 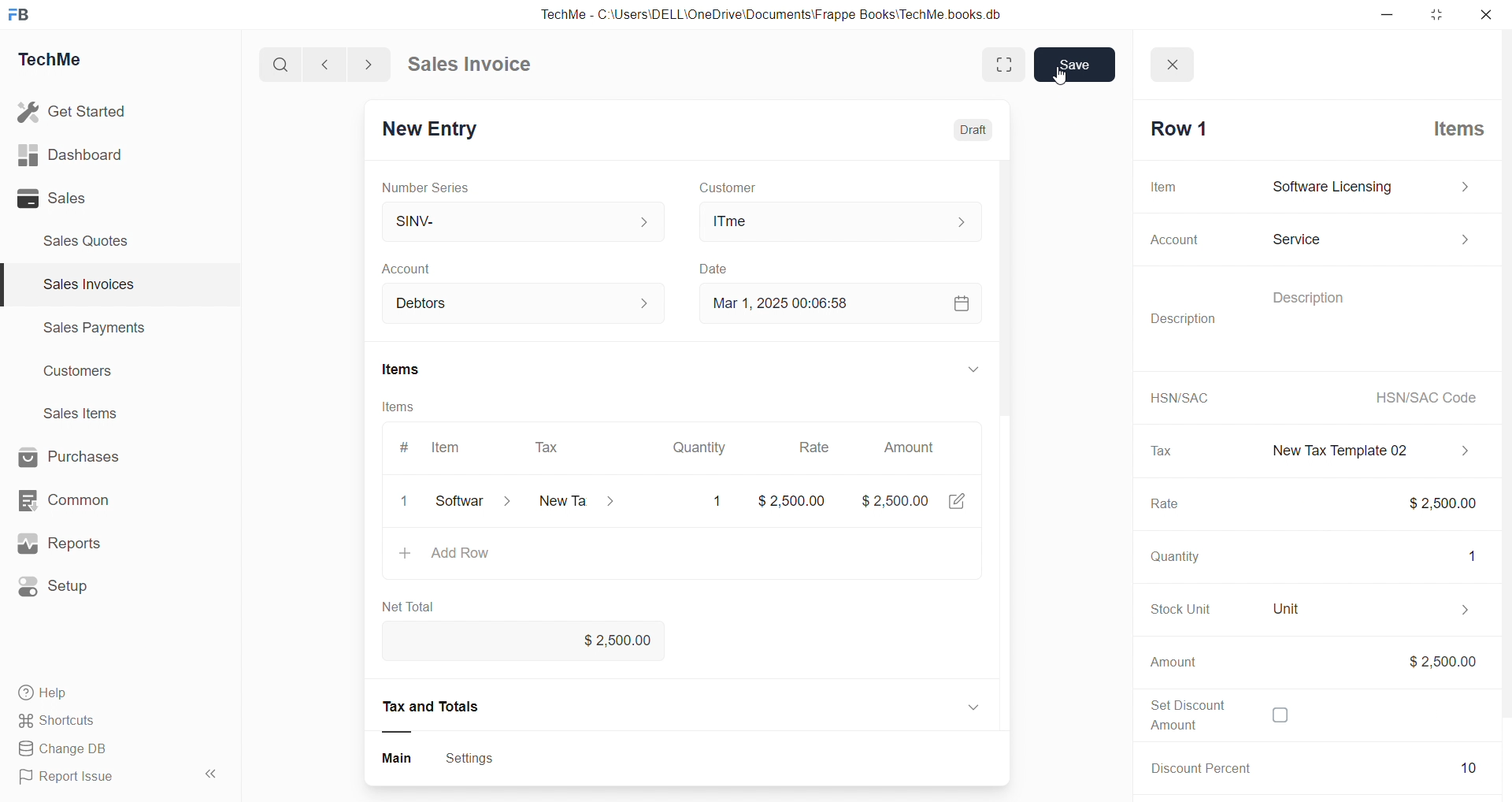 I want to click on Amount, so click(x=912, y=443).